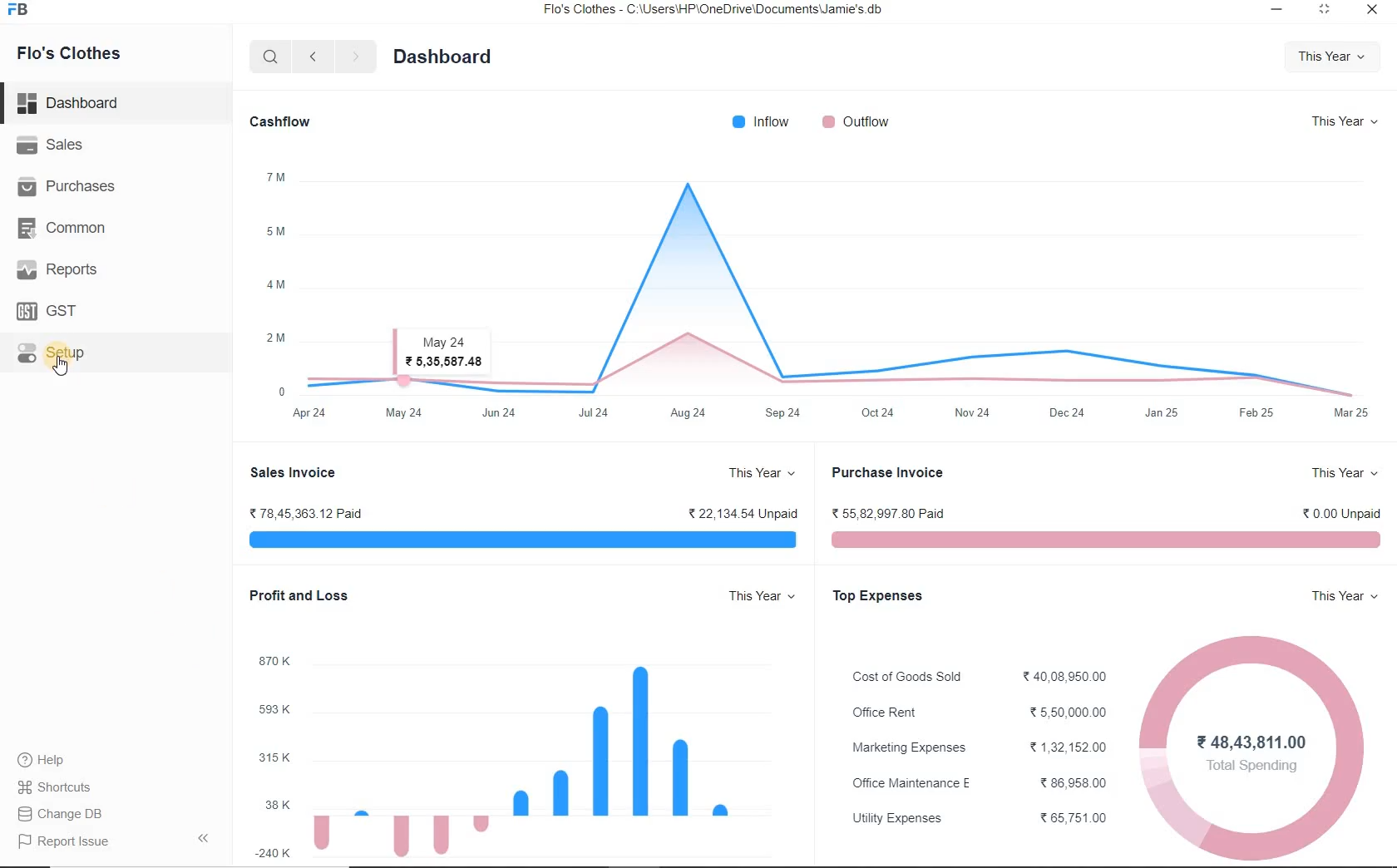  I want to click on Profit and Loss, so click(294, 594).